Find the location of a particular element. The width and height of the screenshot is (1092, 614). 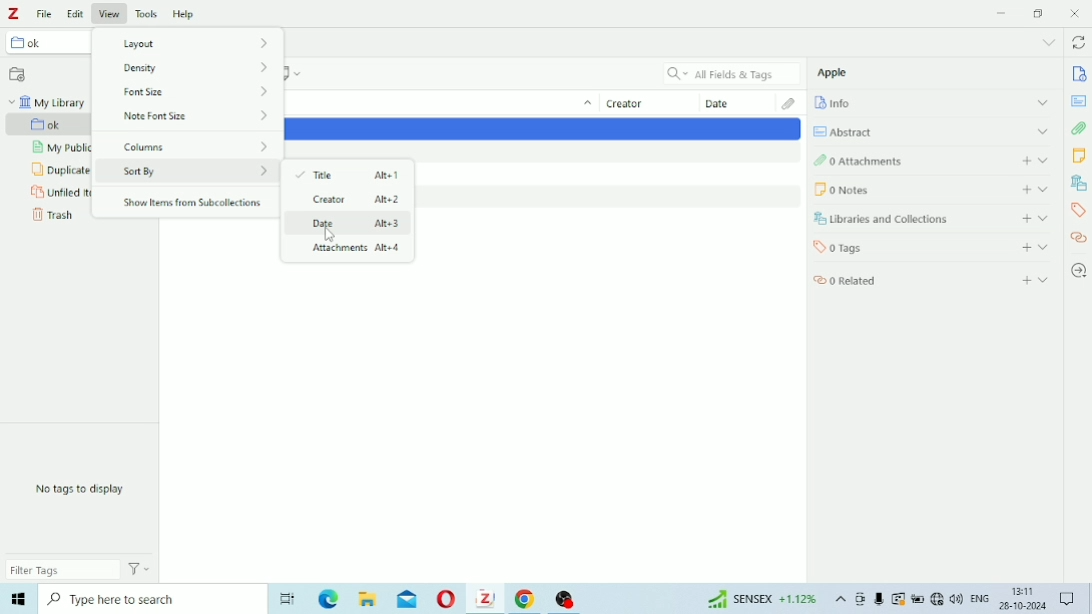

Layout is located at coordinates (188, 43).